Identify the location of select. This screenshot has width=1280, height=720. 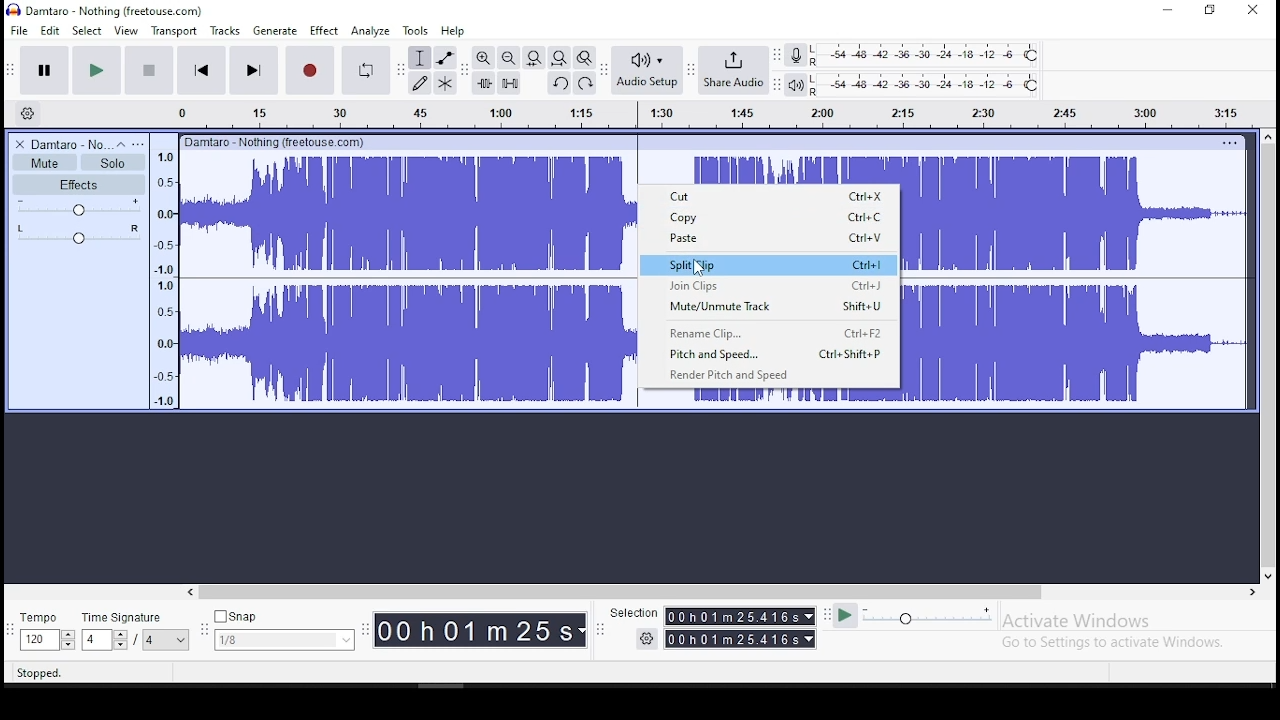
(88, 31).